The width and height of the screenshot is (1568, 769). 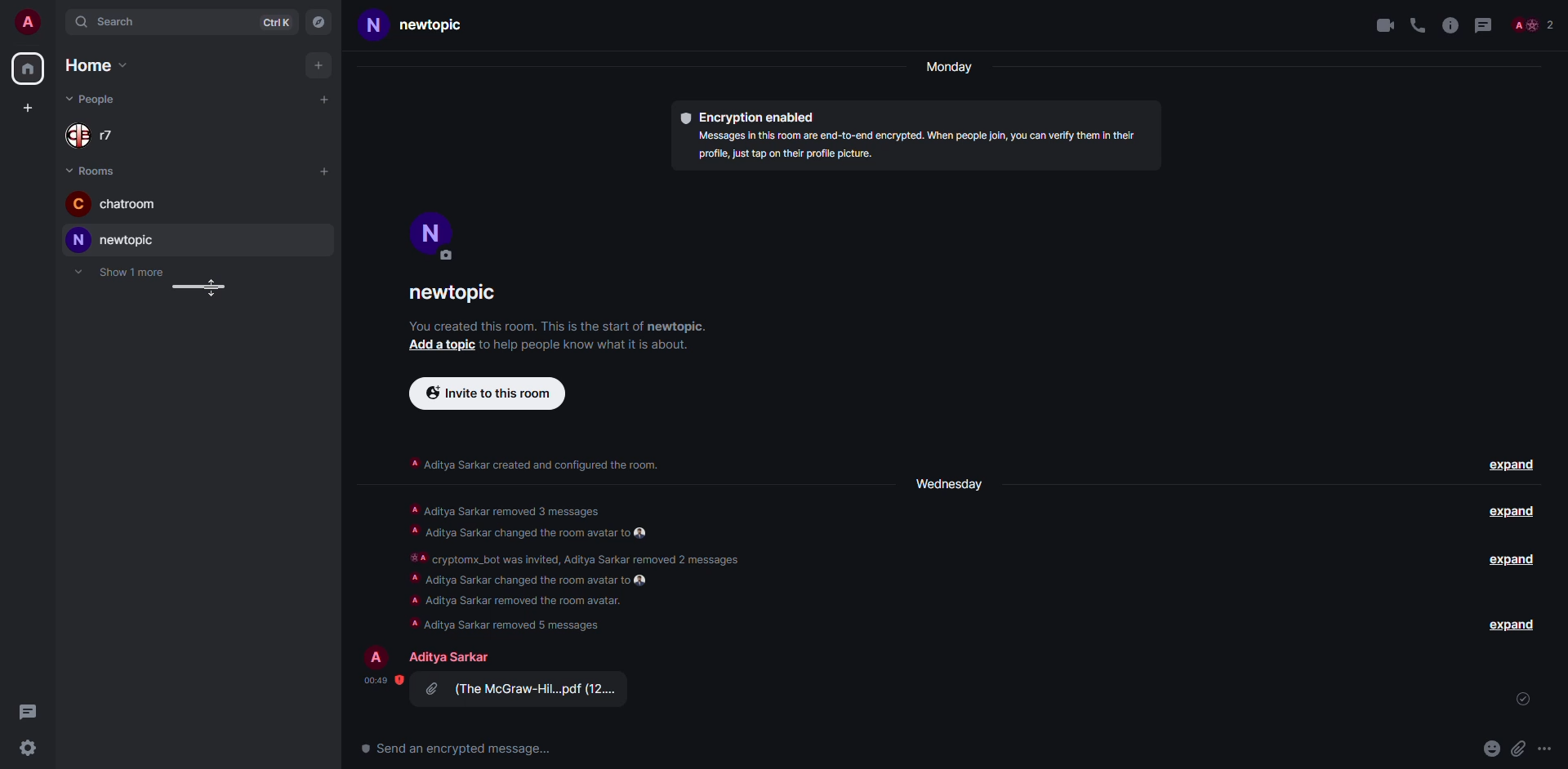 I want to click on settings, so click(x=29, y=749).